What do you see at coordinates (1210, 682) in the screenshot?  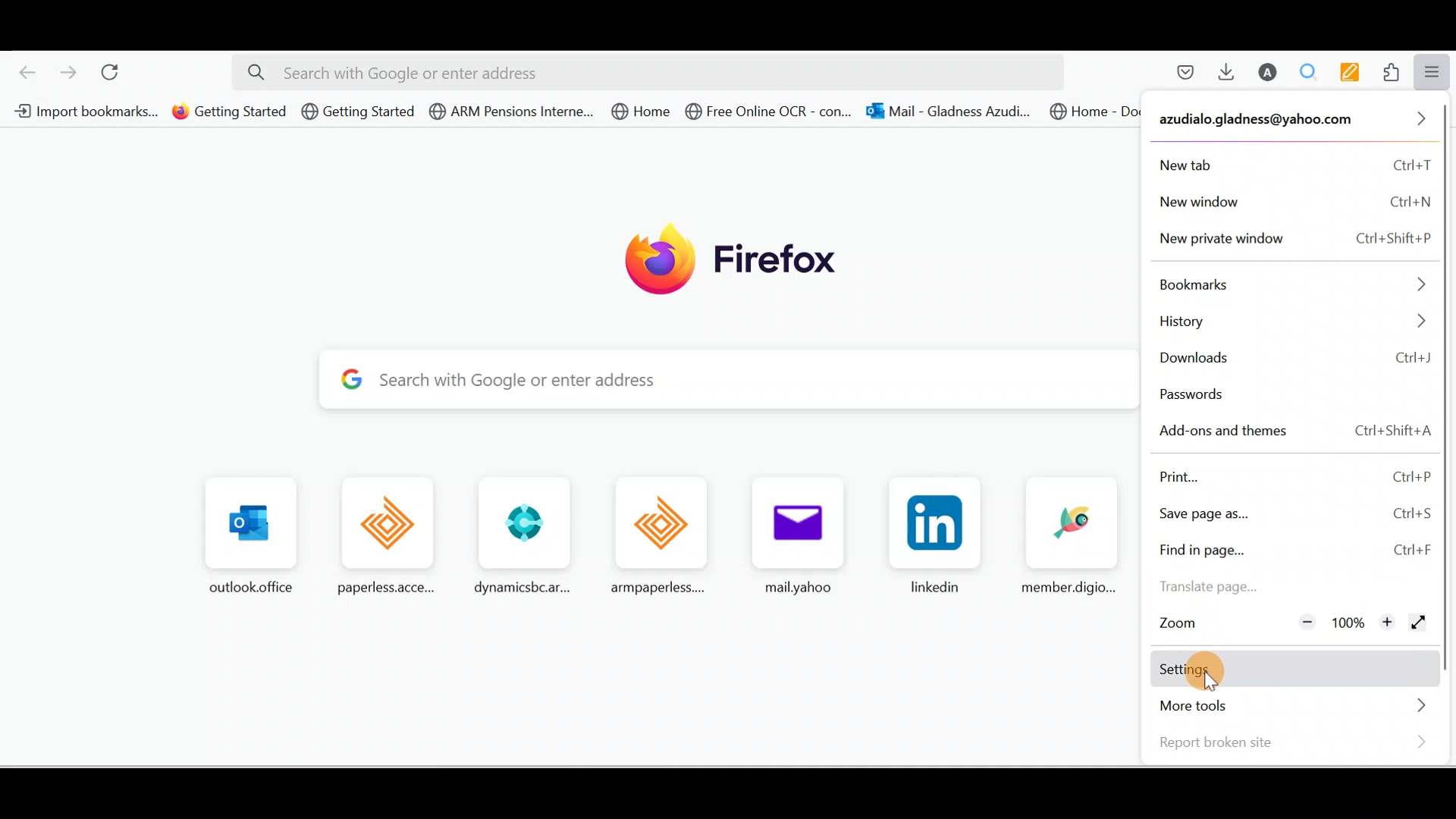 I see `cursor` at bounding box center [1210, 682].